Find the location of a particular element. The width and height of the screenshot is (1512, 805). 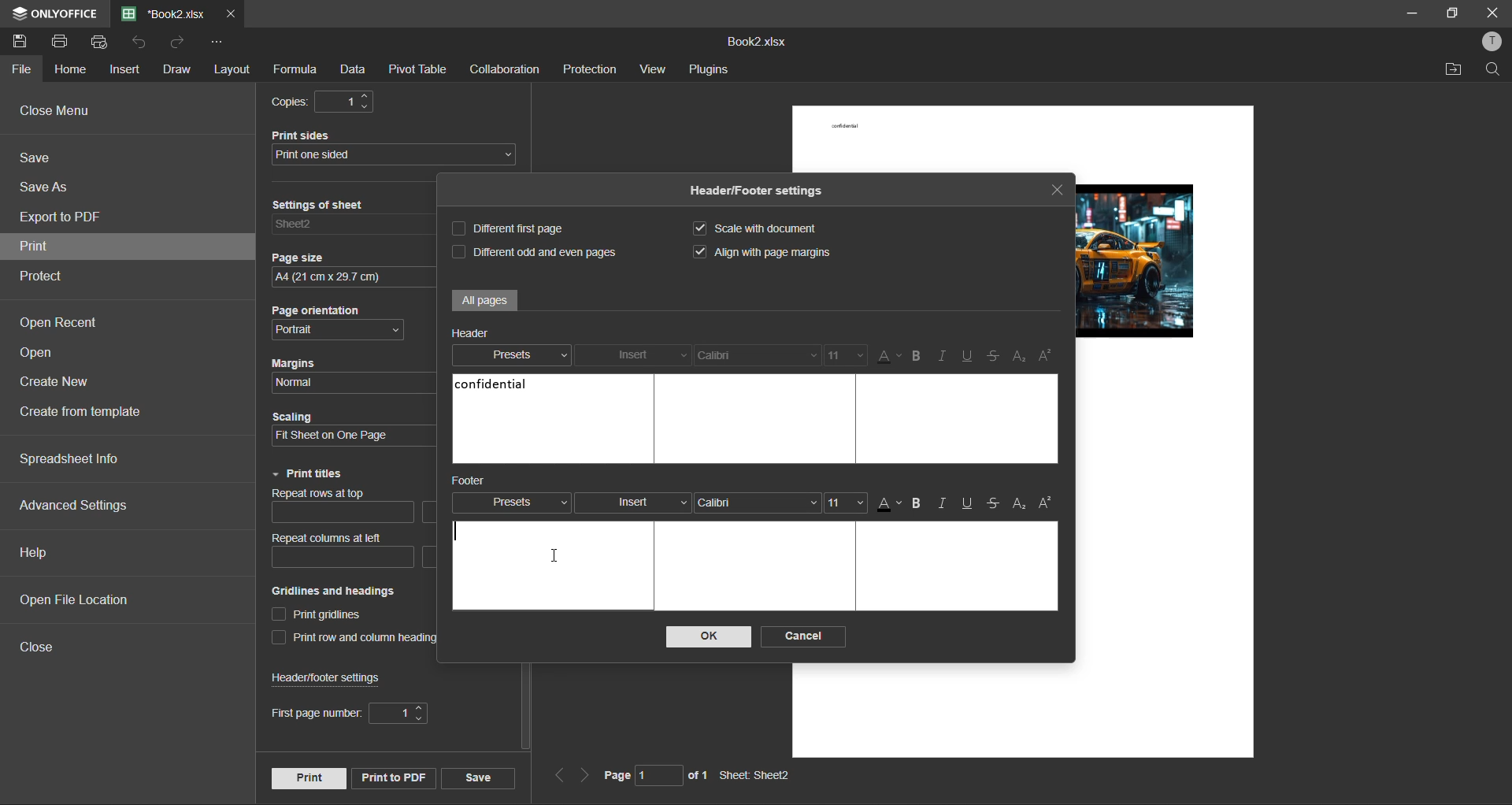

ok is located at coordinates (709, 636).